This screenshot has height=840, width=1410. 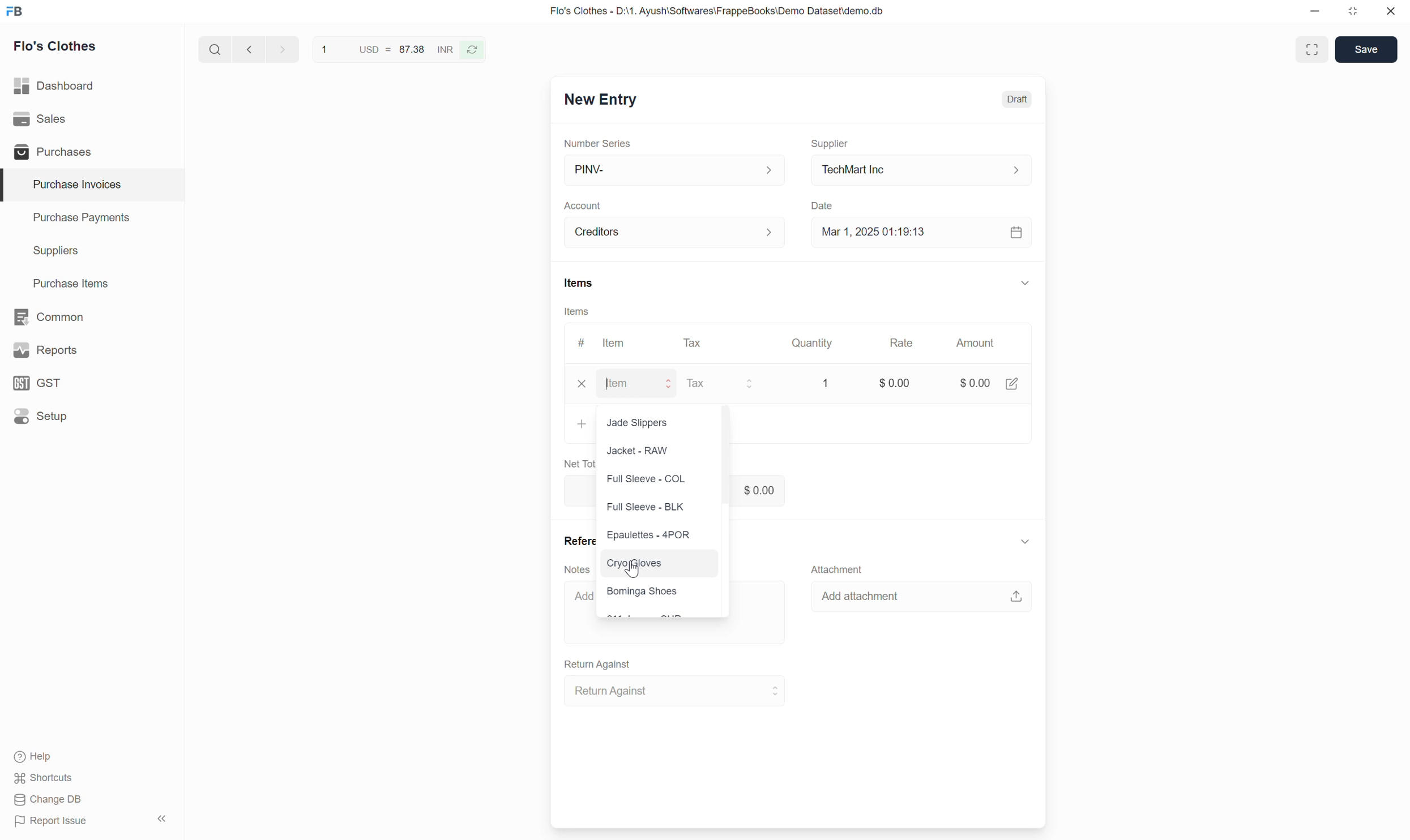 I want to click on frappe books logo, so click(x=17, y=11).